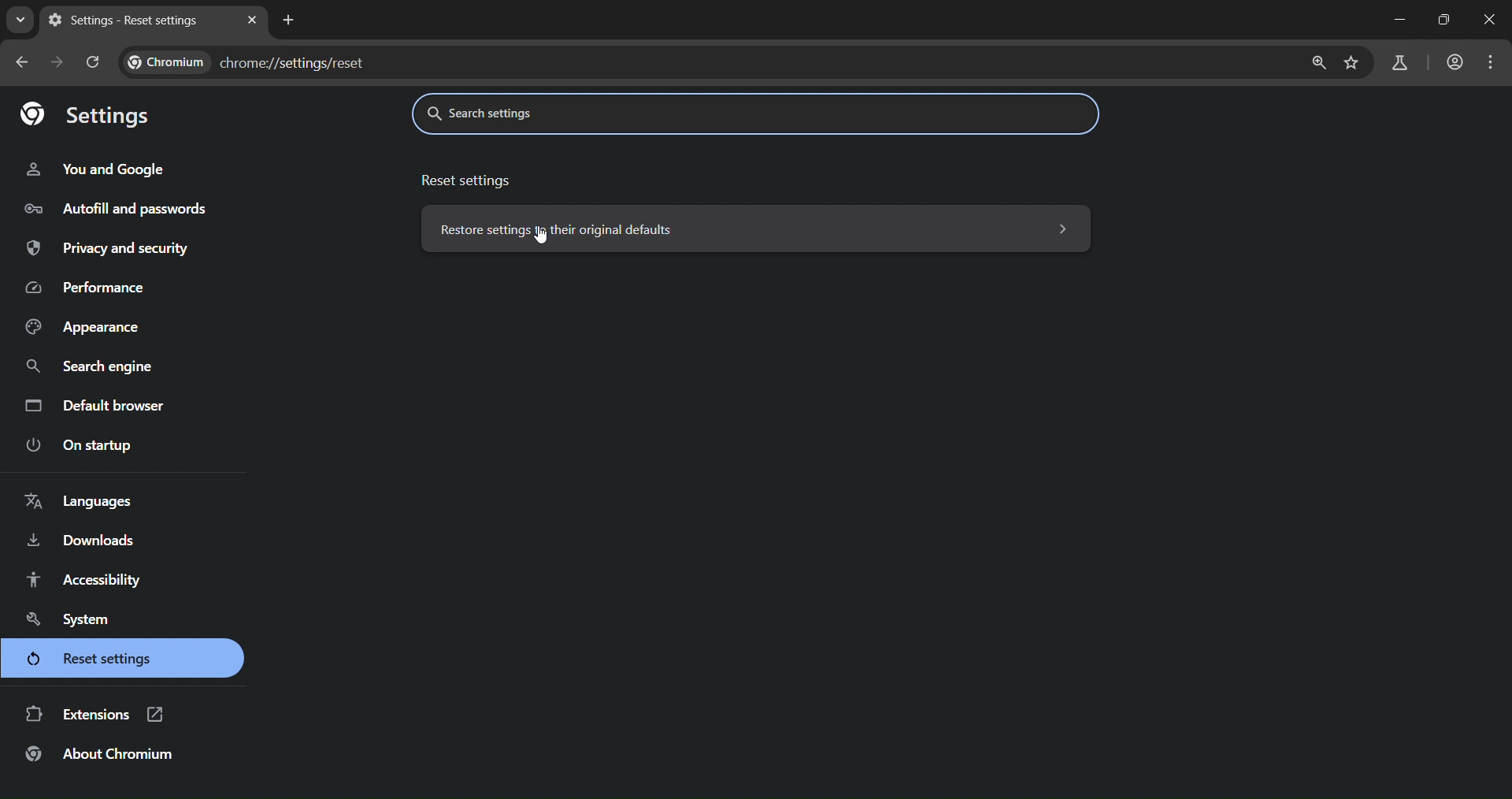  Describe the element at coordinates (1395, 63) in the screenshot. I see `search labs` at that location.